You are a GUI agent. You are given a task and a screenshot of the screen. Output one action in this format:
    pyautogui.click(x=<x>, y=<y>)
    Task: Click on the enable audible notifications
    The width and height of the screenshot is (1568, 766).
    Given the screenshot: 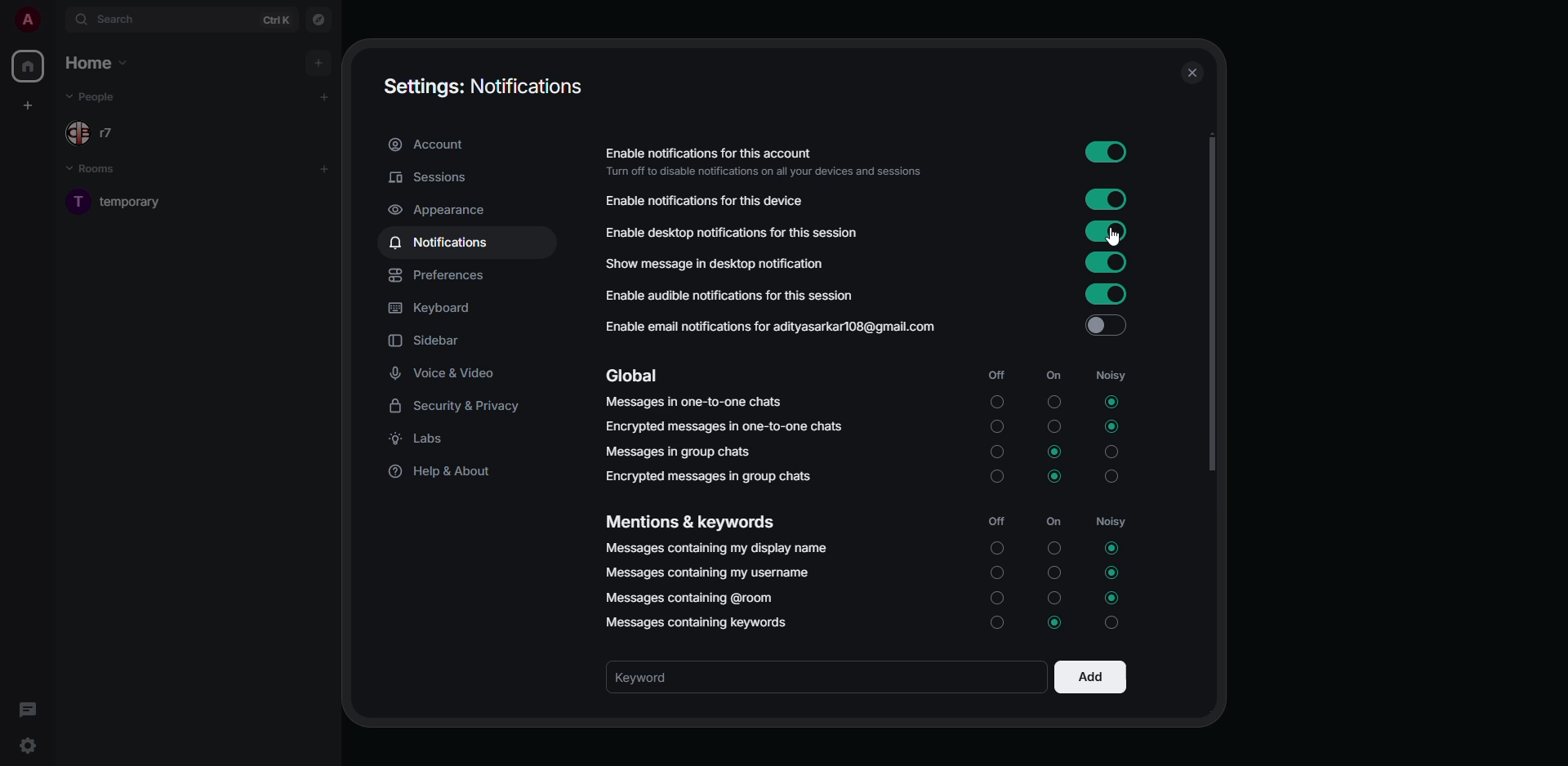 What is the action you would take?
    pyautogui.click(x=728, y=294)
    